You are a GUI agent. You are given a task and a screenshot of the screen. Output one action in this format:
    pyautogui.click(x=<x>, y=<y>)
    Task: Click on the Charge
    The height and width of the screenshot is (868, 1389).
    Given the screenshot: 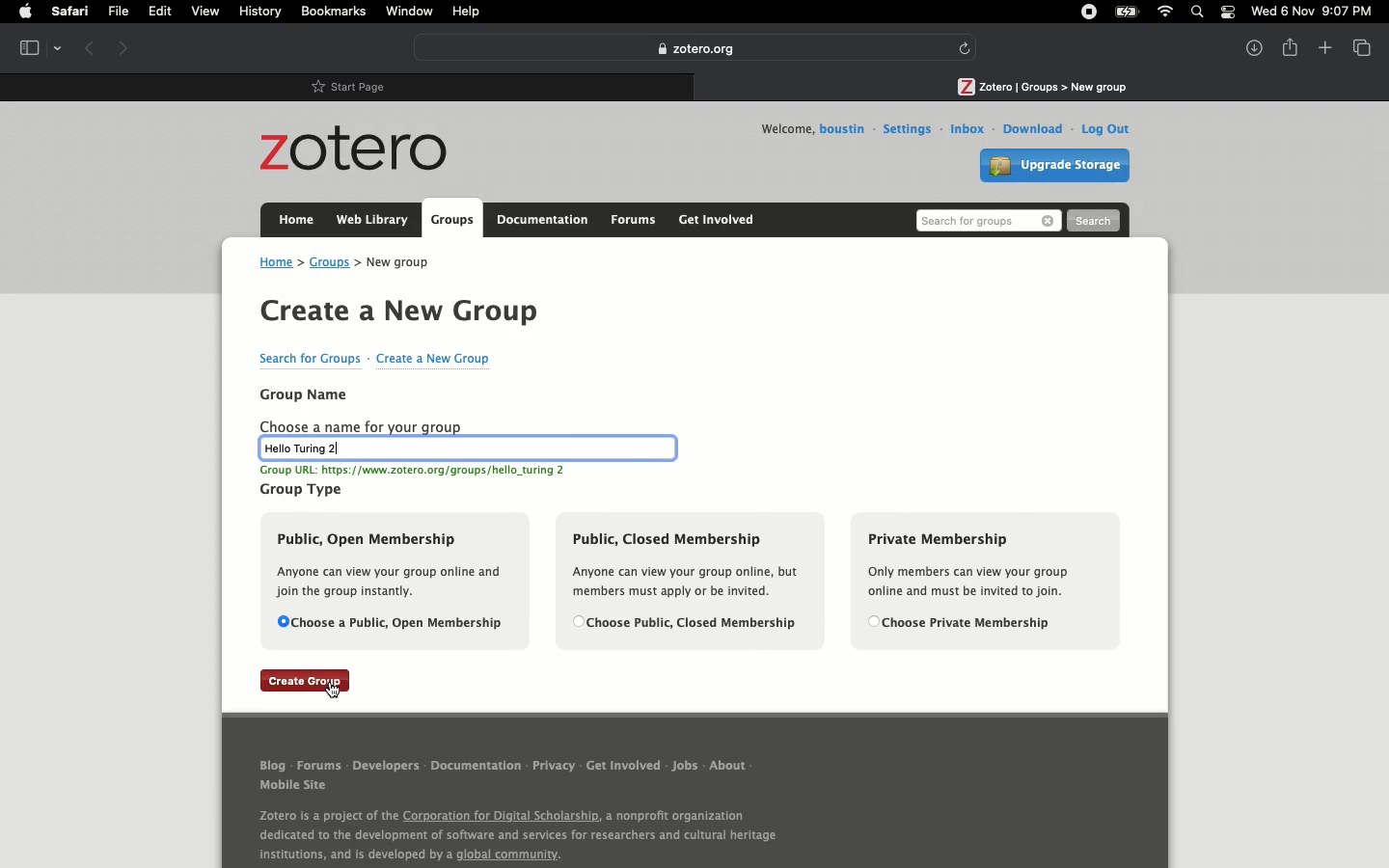 What is the action you would take?
    pyautogui.click(x=1123, y=12)
    